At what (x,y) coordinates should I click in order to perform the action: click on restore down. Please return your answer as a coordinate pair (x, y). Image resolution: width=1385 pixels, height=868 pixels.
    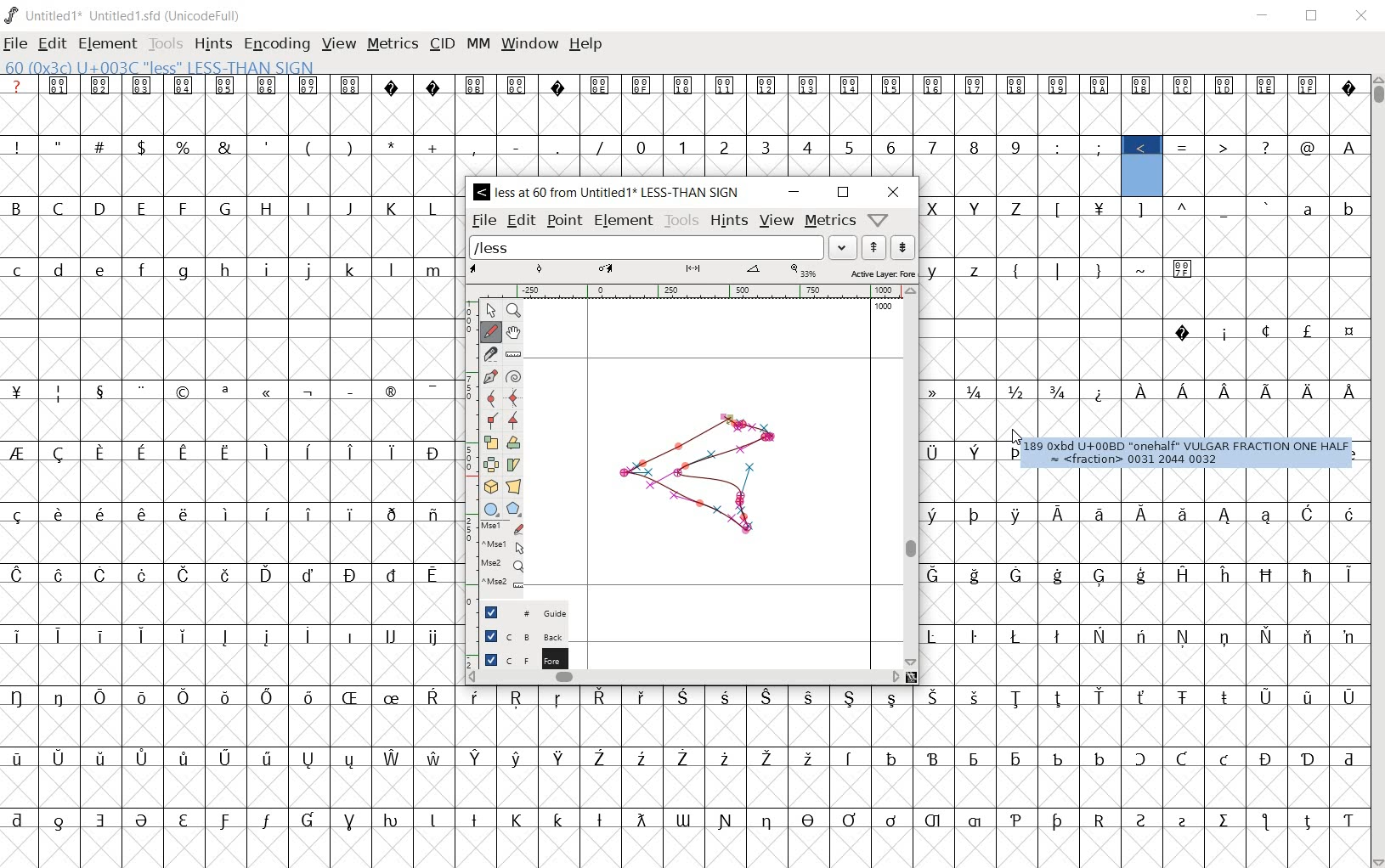
    Looking at the image, I should click on (843, 194).